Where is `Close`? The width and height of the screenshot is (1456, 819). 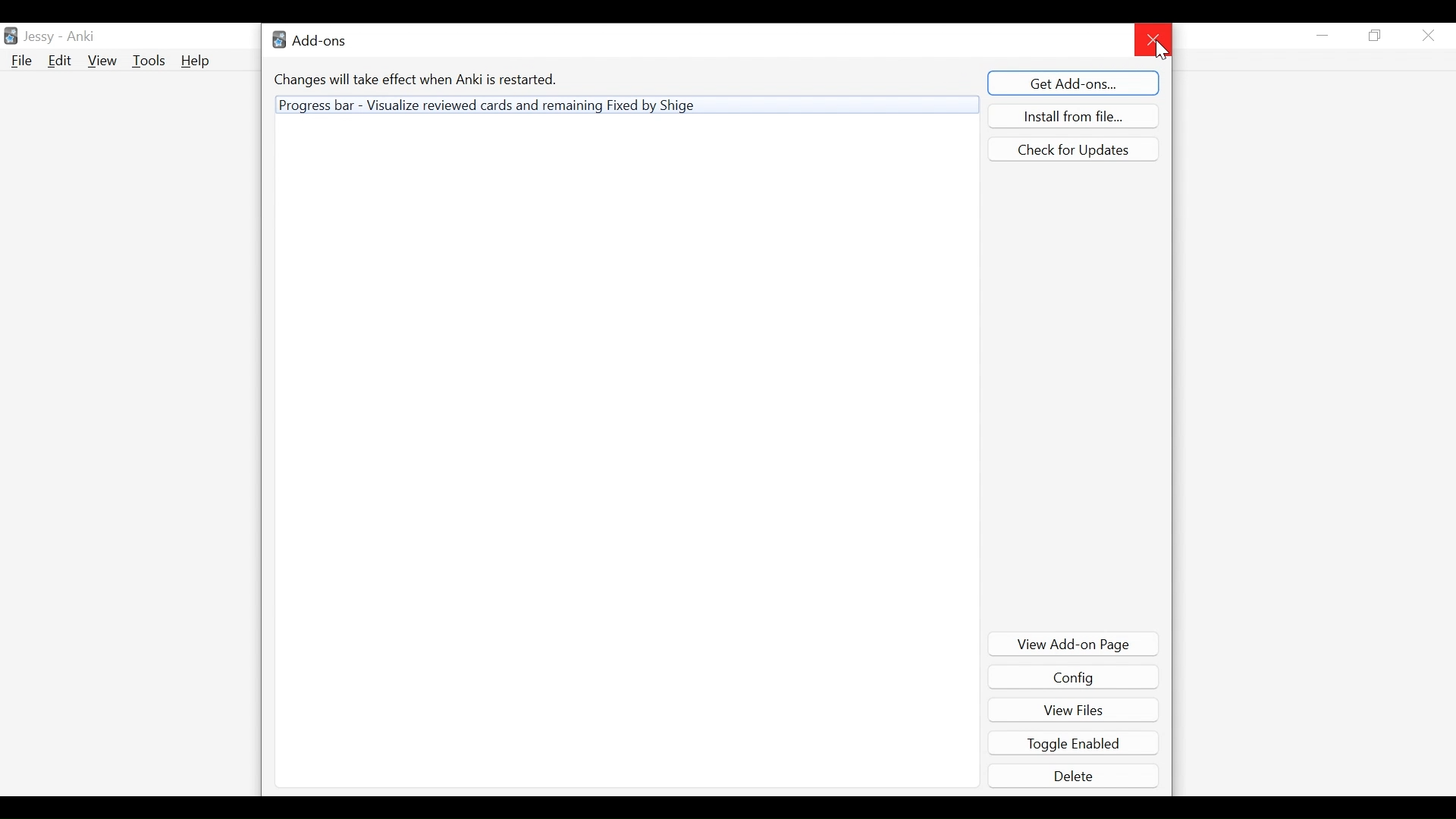 Close is located at coordinates (1153, 39).